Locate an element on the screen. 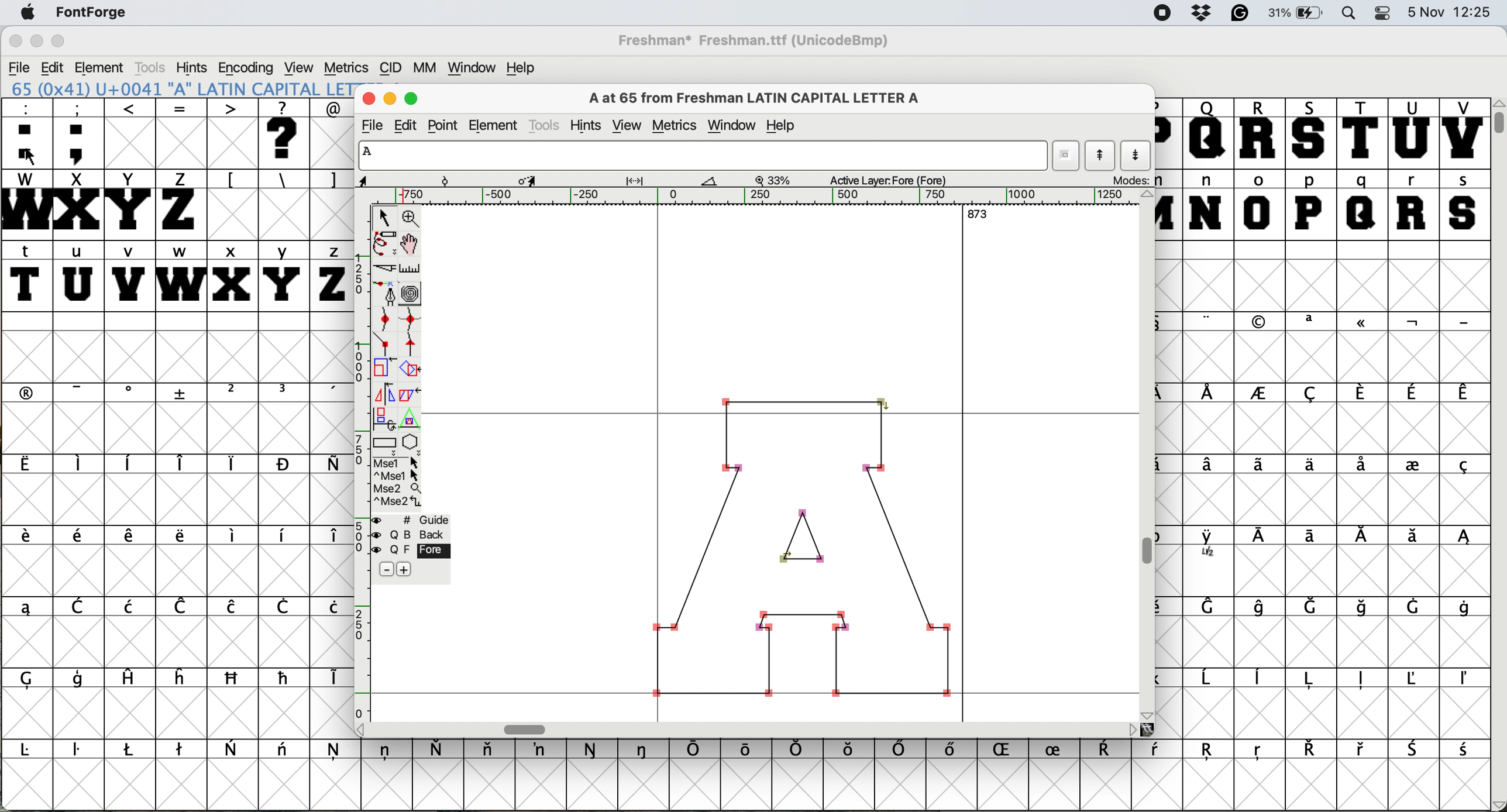  symbol is located at coordinates (284, 608).